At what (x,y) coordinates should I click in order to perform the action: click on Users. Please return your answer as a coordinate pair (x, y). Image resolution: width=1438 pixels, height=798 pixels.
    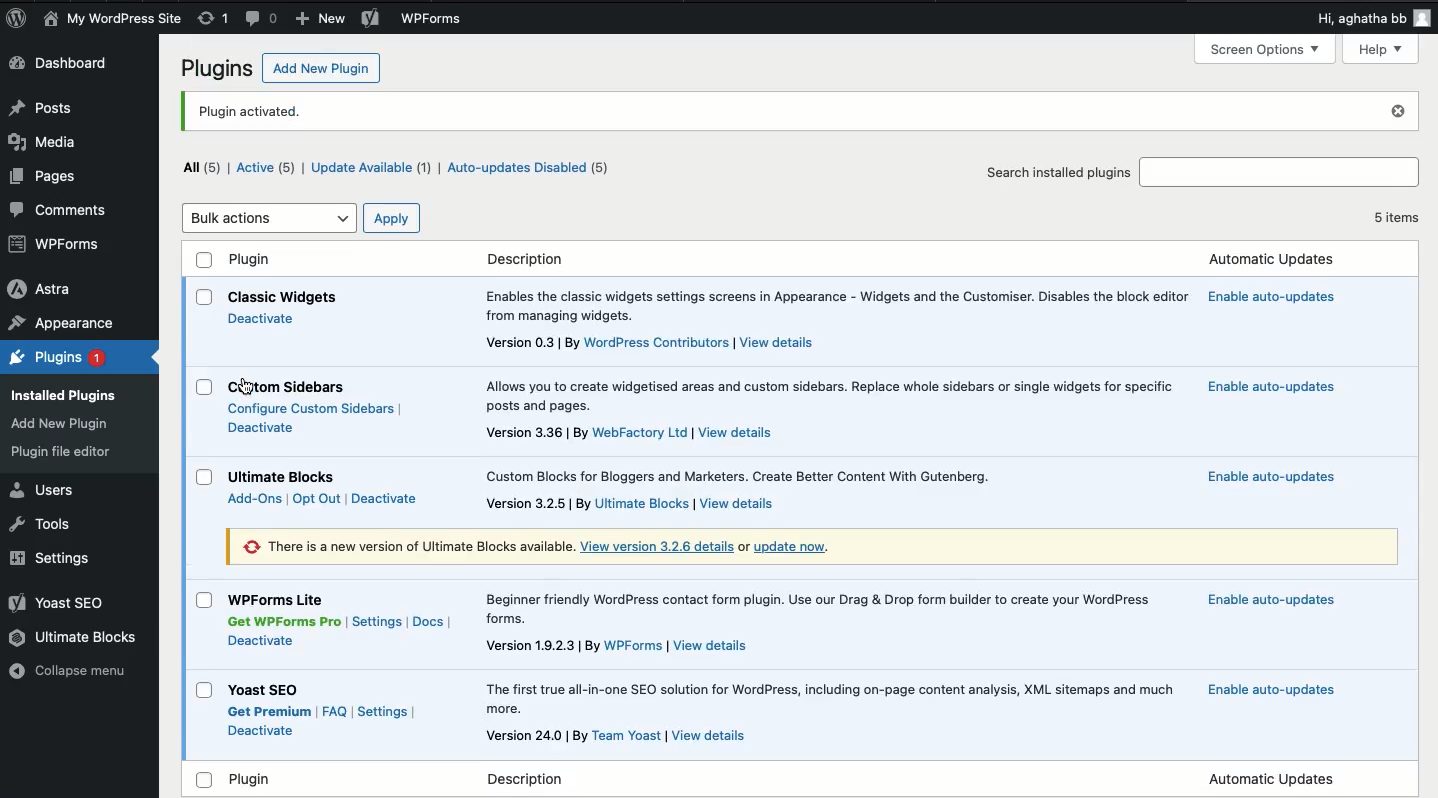
    Looking at the image, I should click on (45, 490).